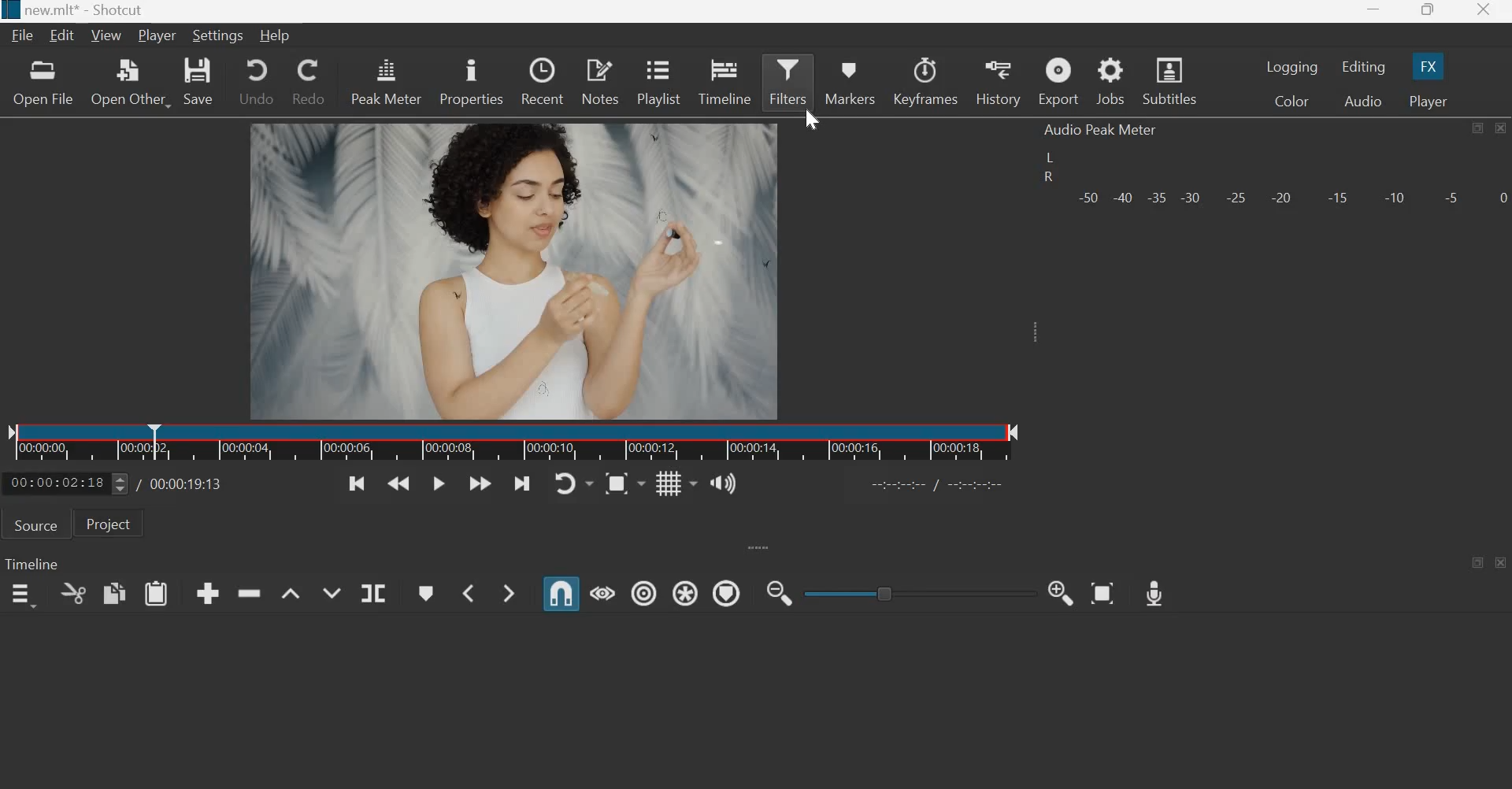 The image size is (1512, 789). What do you see at coordinates (513, 443) in the screenshot?
I see `Timeline` at bounding box center [513, 443].